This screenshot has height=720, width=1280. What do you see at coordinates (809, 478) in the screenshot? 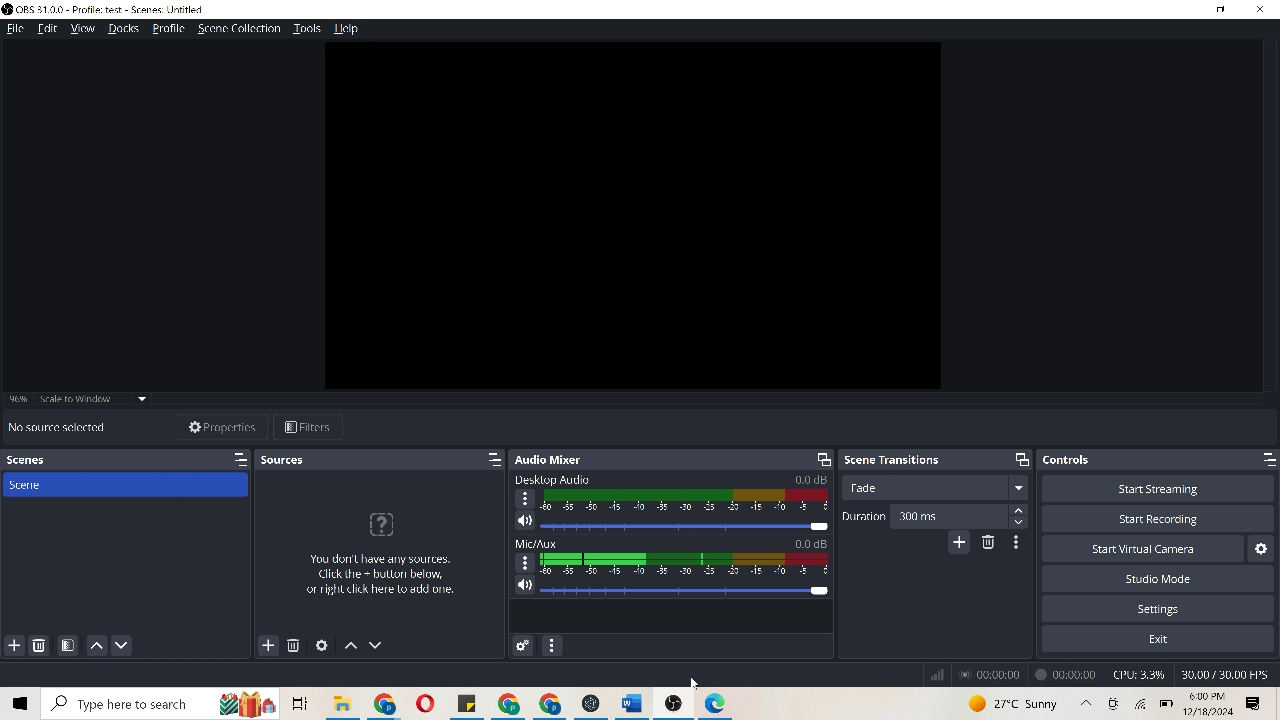
I see `0.0 dB` at bounding box center [809, 478].